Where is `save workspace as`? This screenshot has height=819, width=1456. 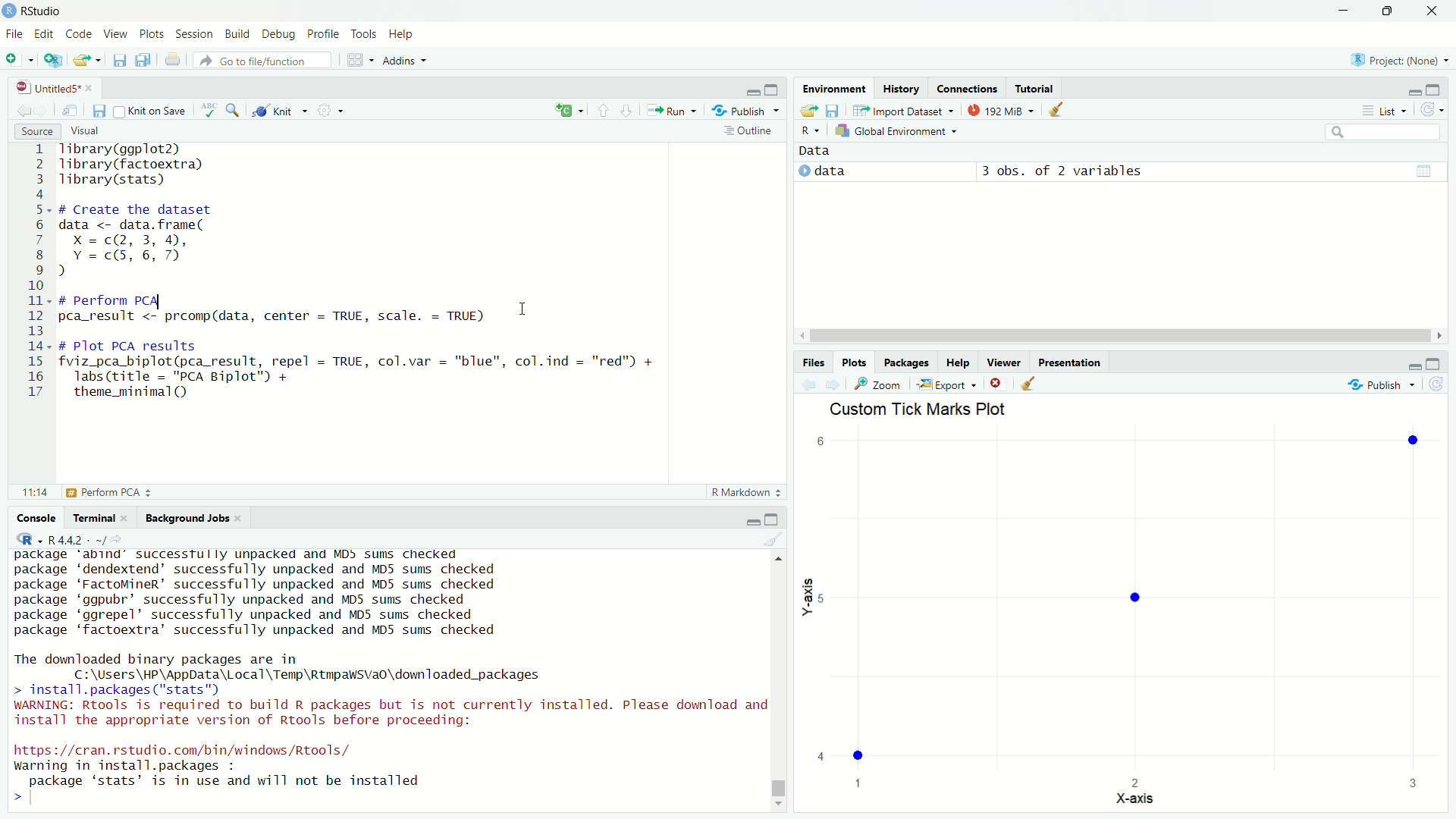 save workspace as is located at coordinates (835, 108).